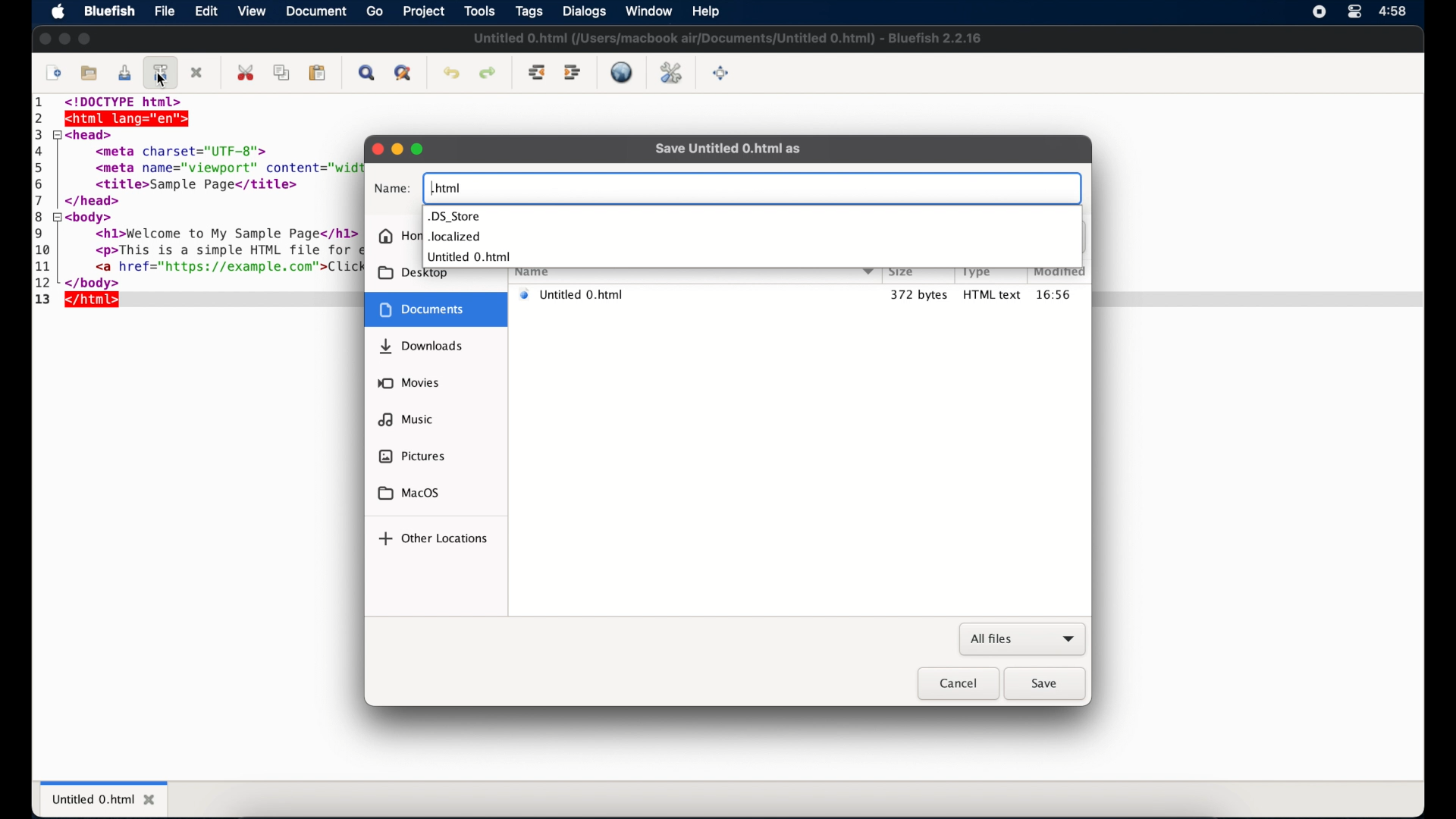 This screenshot has height=819, width=1456. I want to click on 9, so click(39, 233).